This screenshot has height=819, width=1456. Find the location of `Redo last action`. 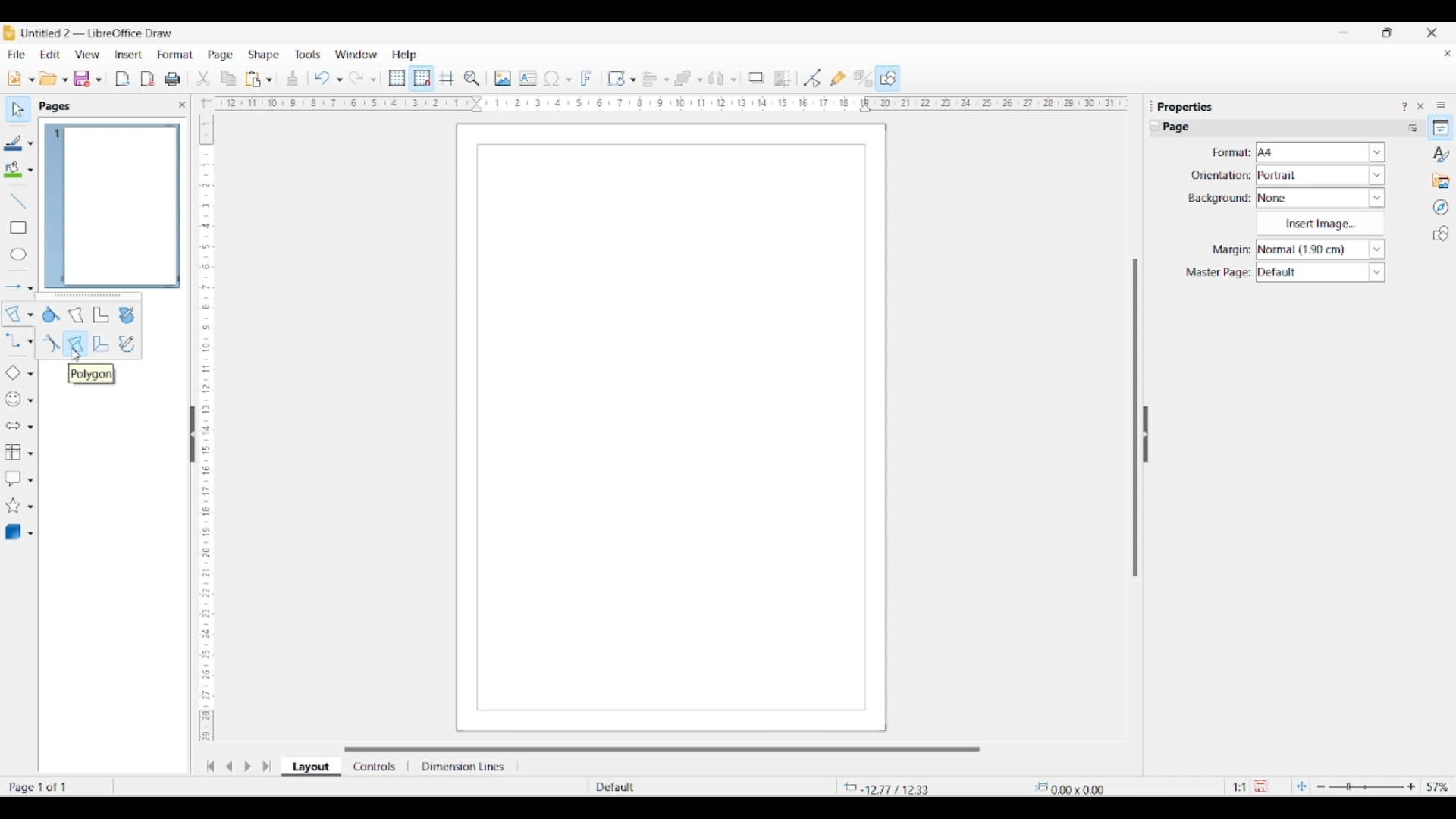

Redo last action is located at coordinates (356, 78).